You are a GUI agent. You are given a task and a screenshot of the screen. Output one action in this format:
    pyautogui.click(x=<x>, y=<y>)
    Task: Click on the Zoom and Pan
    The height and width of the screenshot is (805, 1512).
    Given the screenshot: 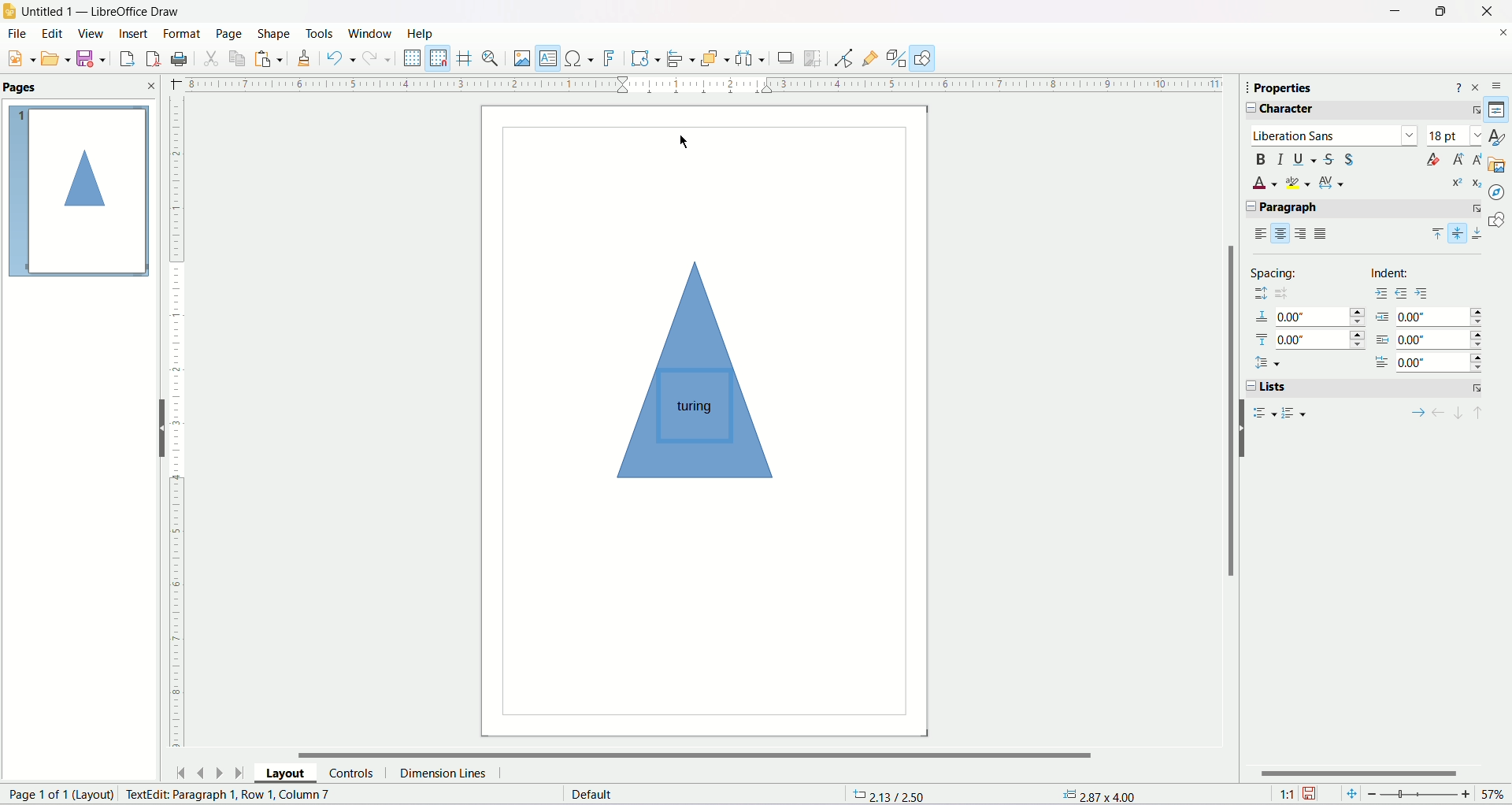 What is the action you would take?
    pyautogui.click(x=490, y=60)
    